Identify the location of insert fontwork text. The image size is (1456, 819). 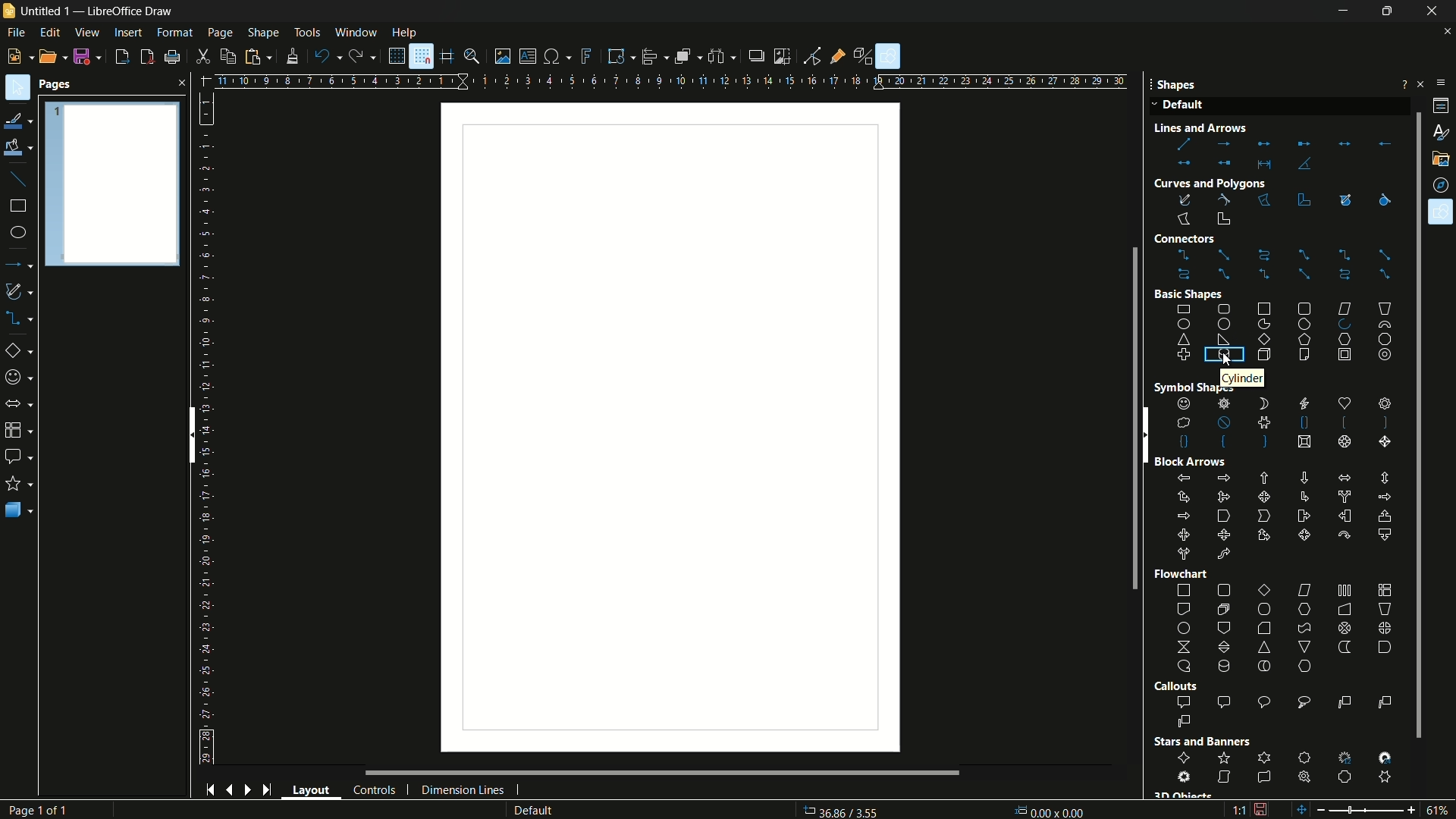
(588, 56).